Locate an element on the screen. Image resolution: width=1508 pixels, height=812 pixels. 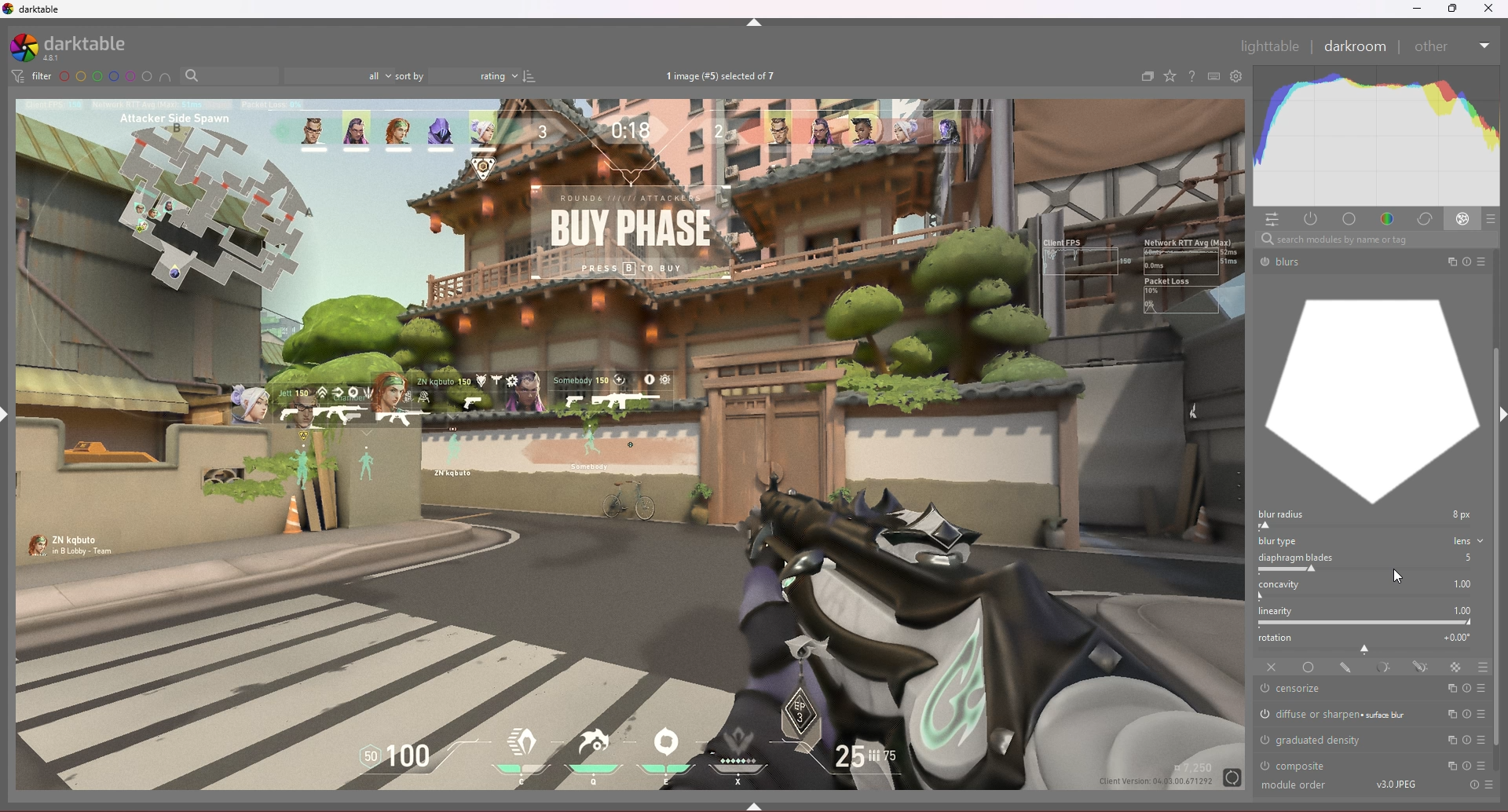
minimize is located at coordinates (1417, 9).